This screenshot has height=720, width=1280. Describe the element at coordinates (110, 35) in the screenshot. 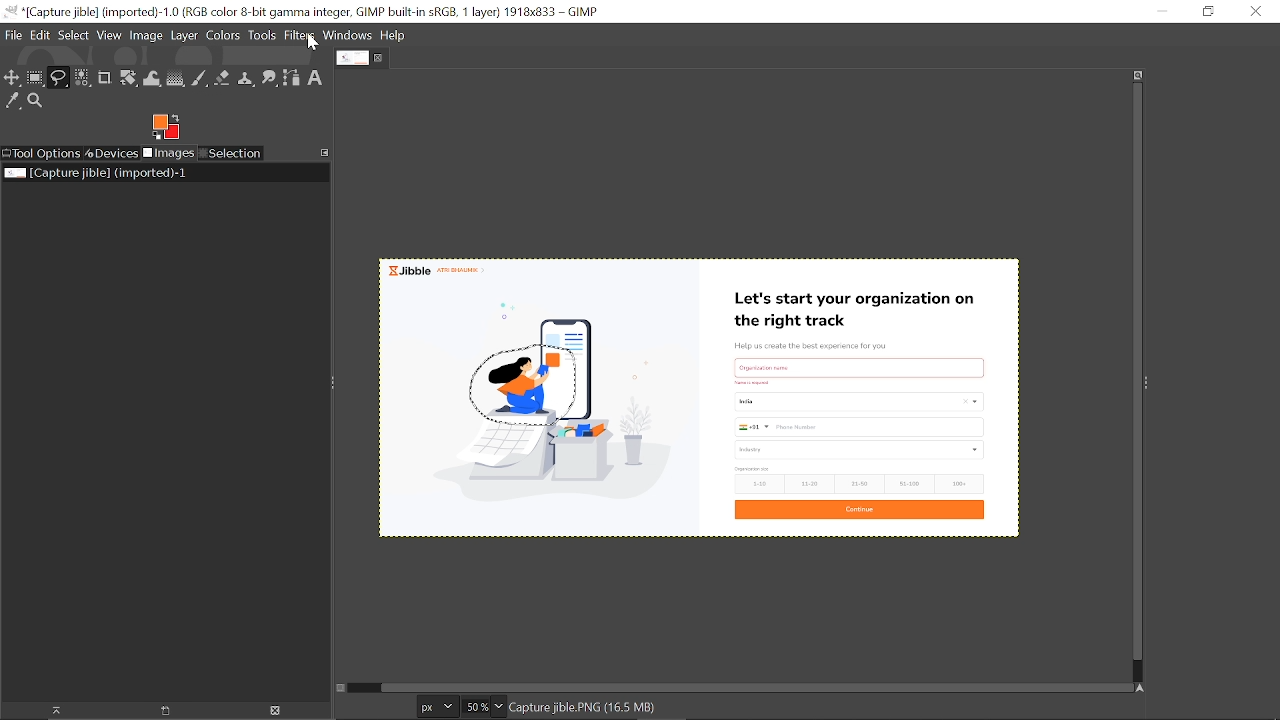

I see `View` at that location.